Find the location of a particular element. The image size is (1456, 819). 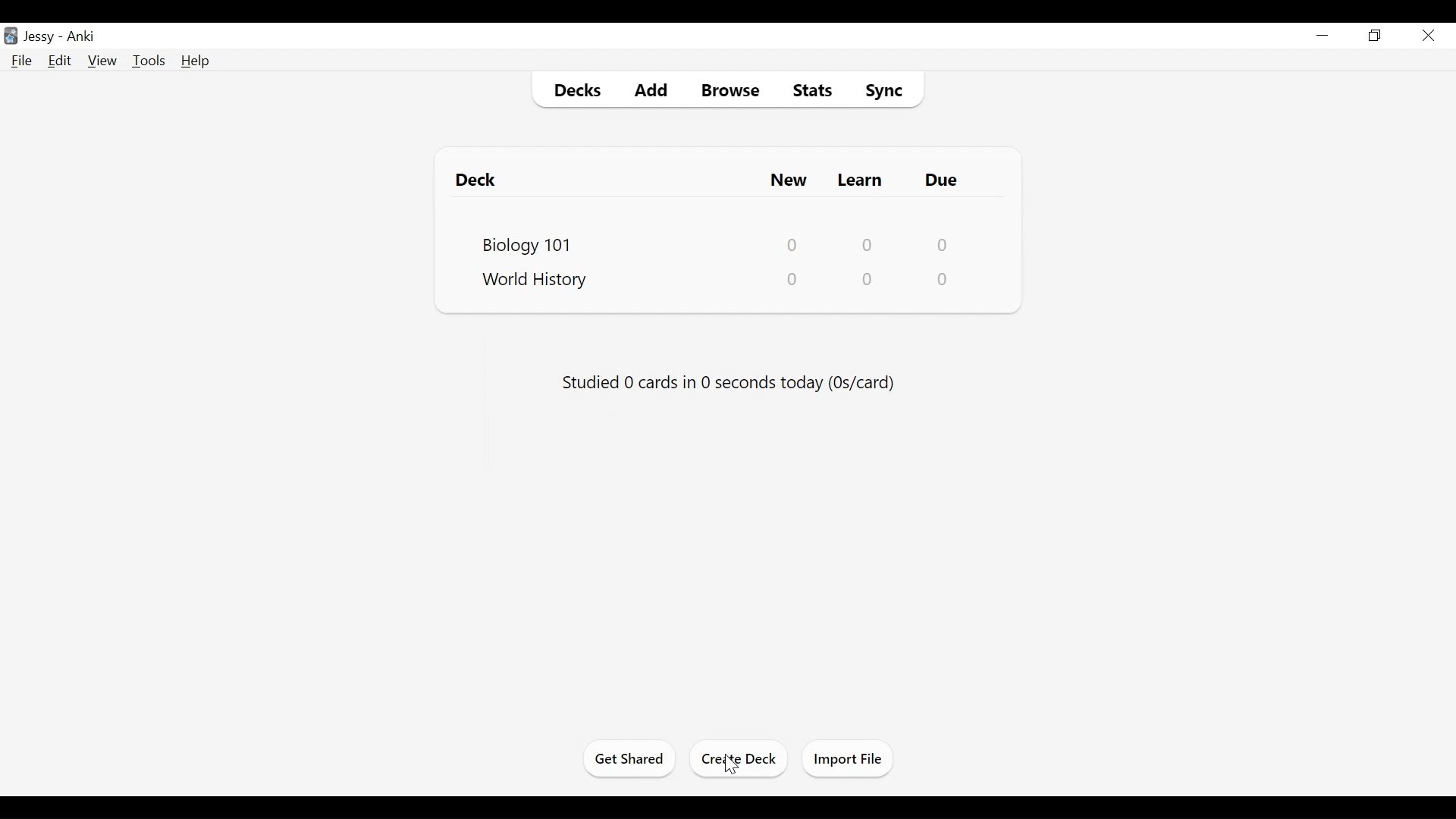

Profile Name is located at coordinates (40, 35).